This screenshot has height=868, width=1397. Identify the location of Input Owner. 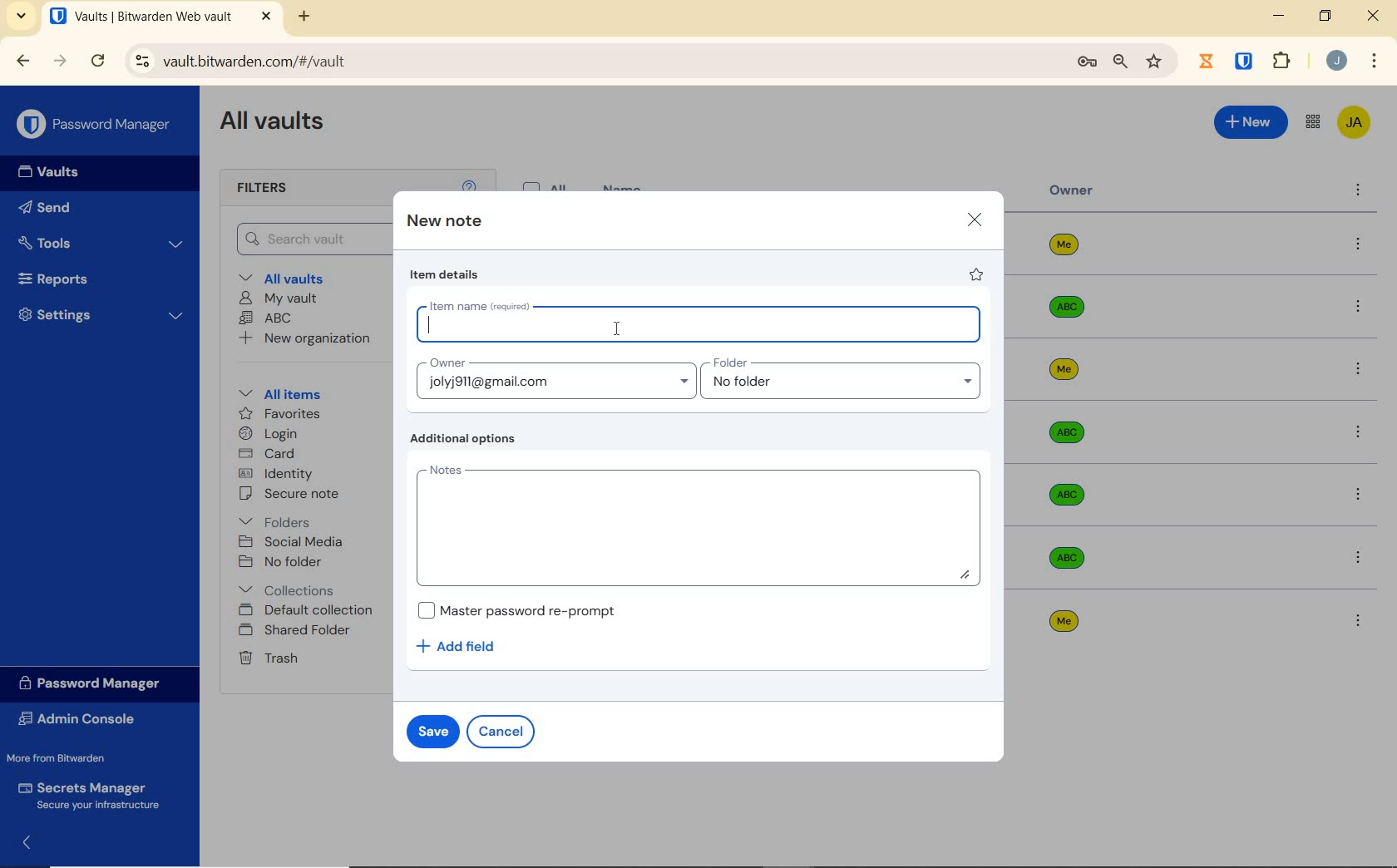
(553, 377).